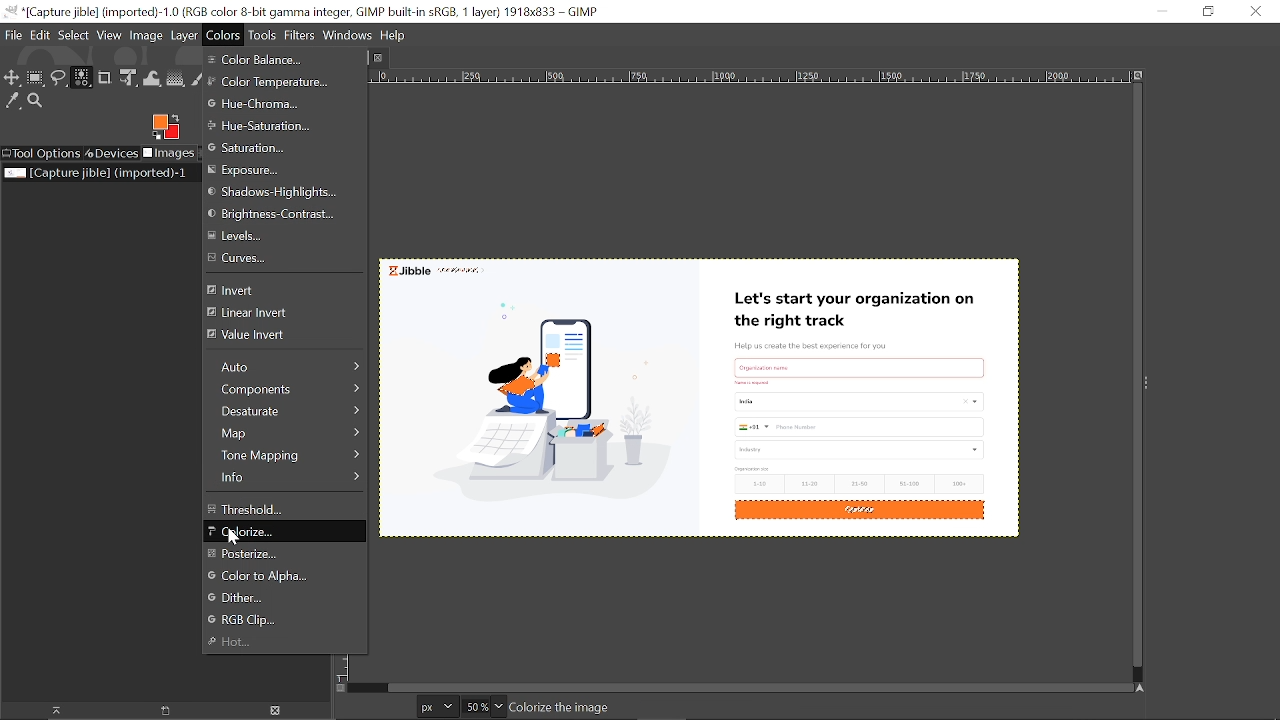 This screenshot has height=720, width=1280. What do you see at coordinates (1152, 384) in the screenshot?
I see `Sidebar menu` at bounding box center [1152, 384].